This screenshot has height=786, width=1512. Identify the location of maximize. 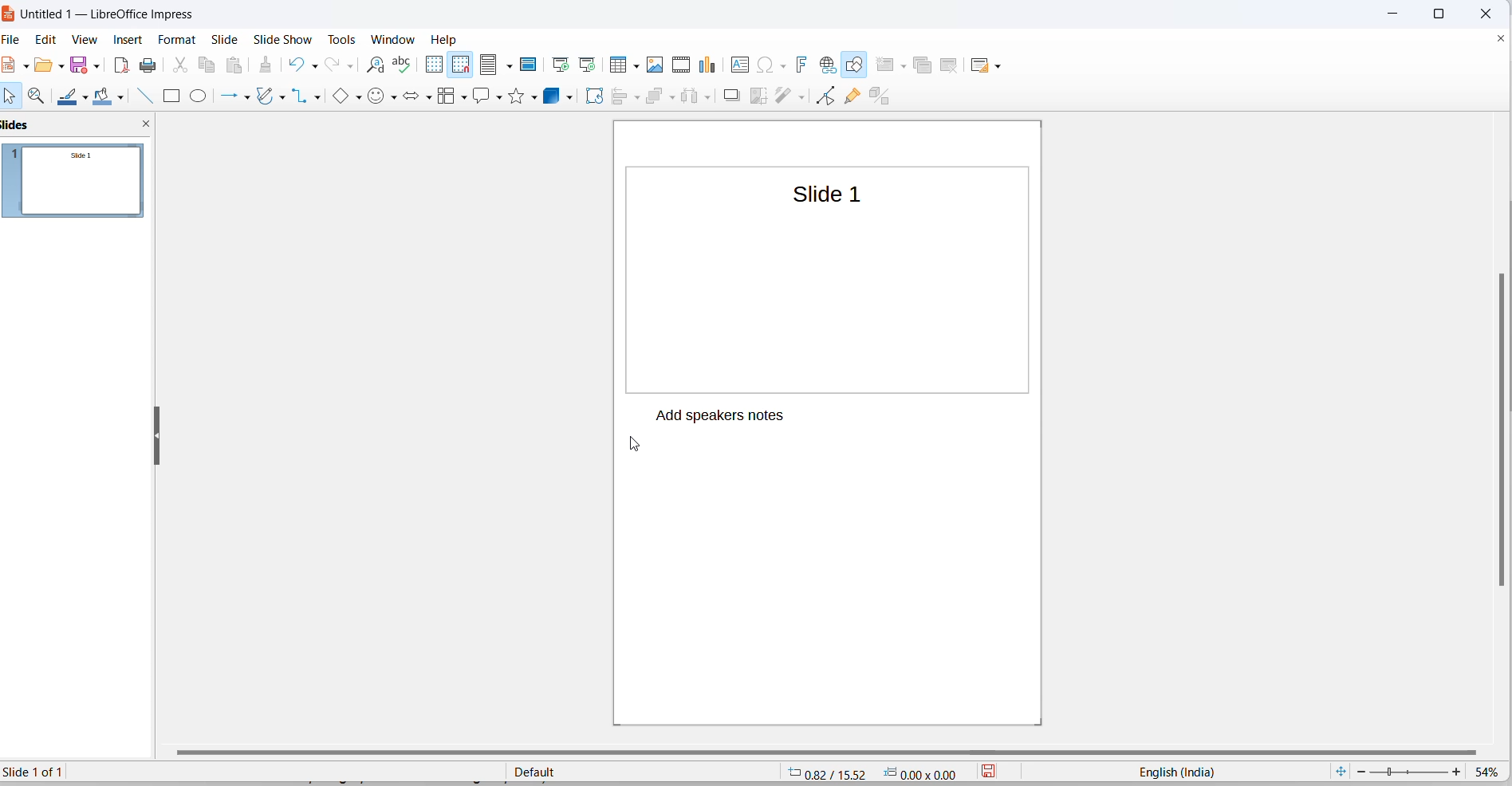
(1444, 14).